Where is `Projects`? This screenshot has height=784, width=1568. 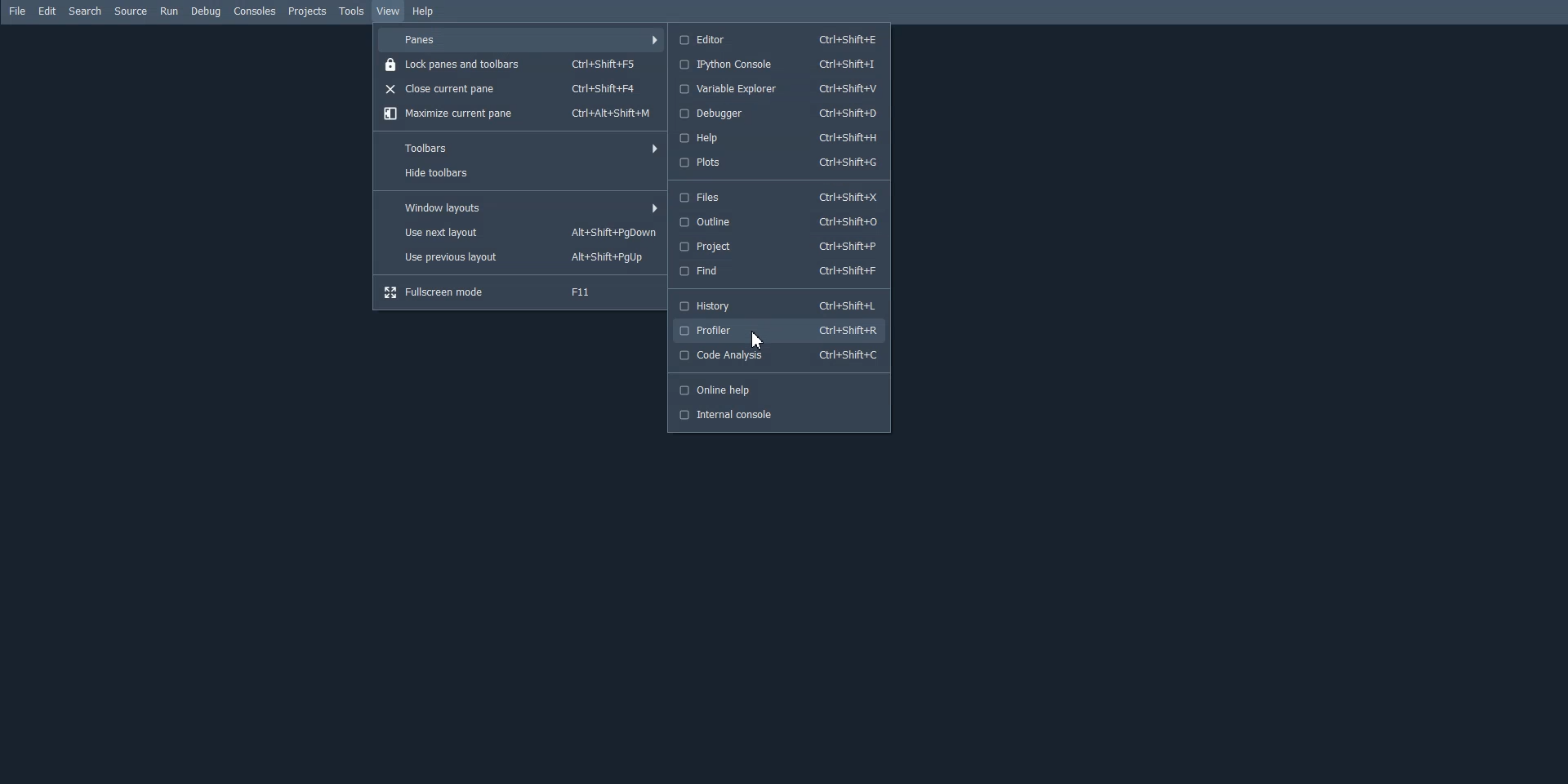 Projects is located at coordinates (308, 11).